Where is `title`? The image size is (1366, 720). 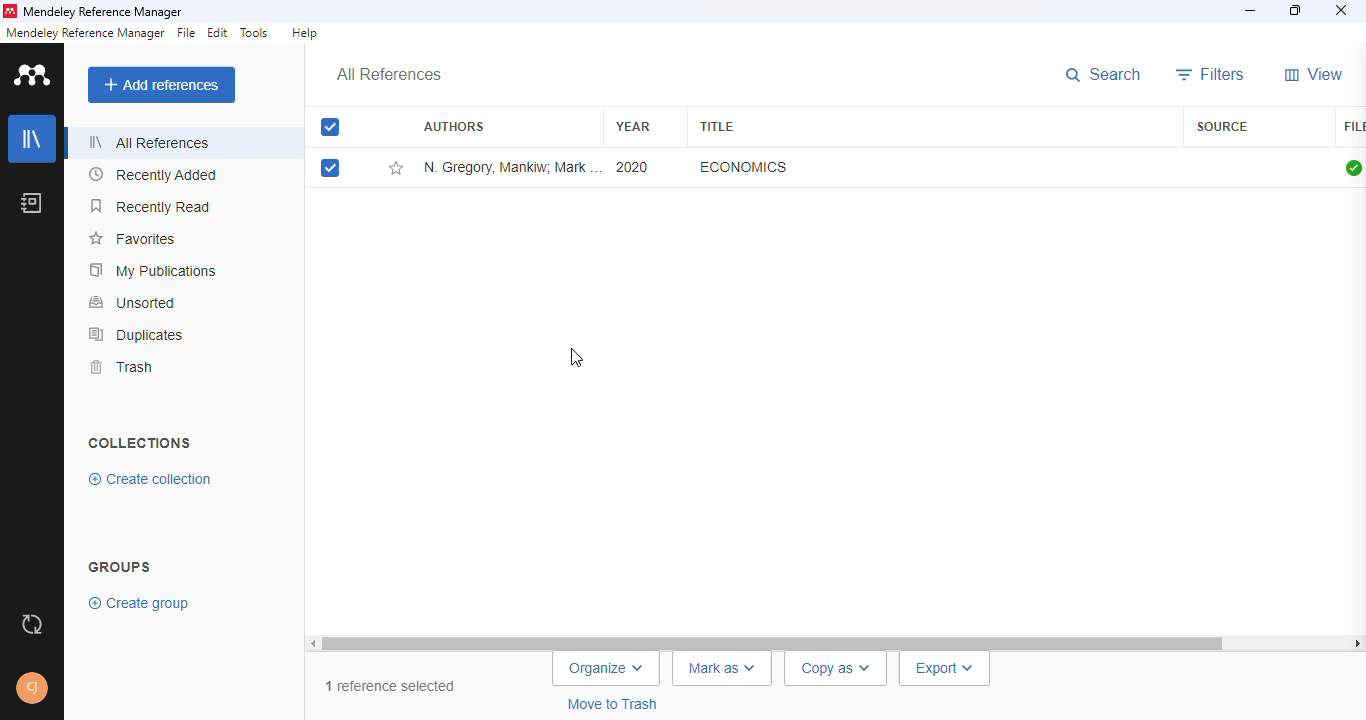 title is located at coordinates (715, 126).